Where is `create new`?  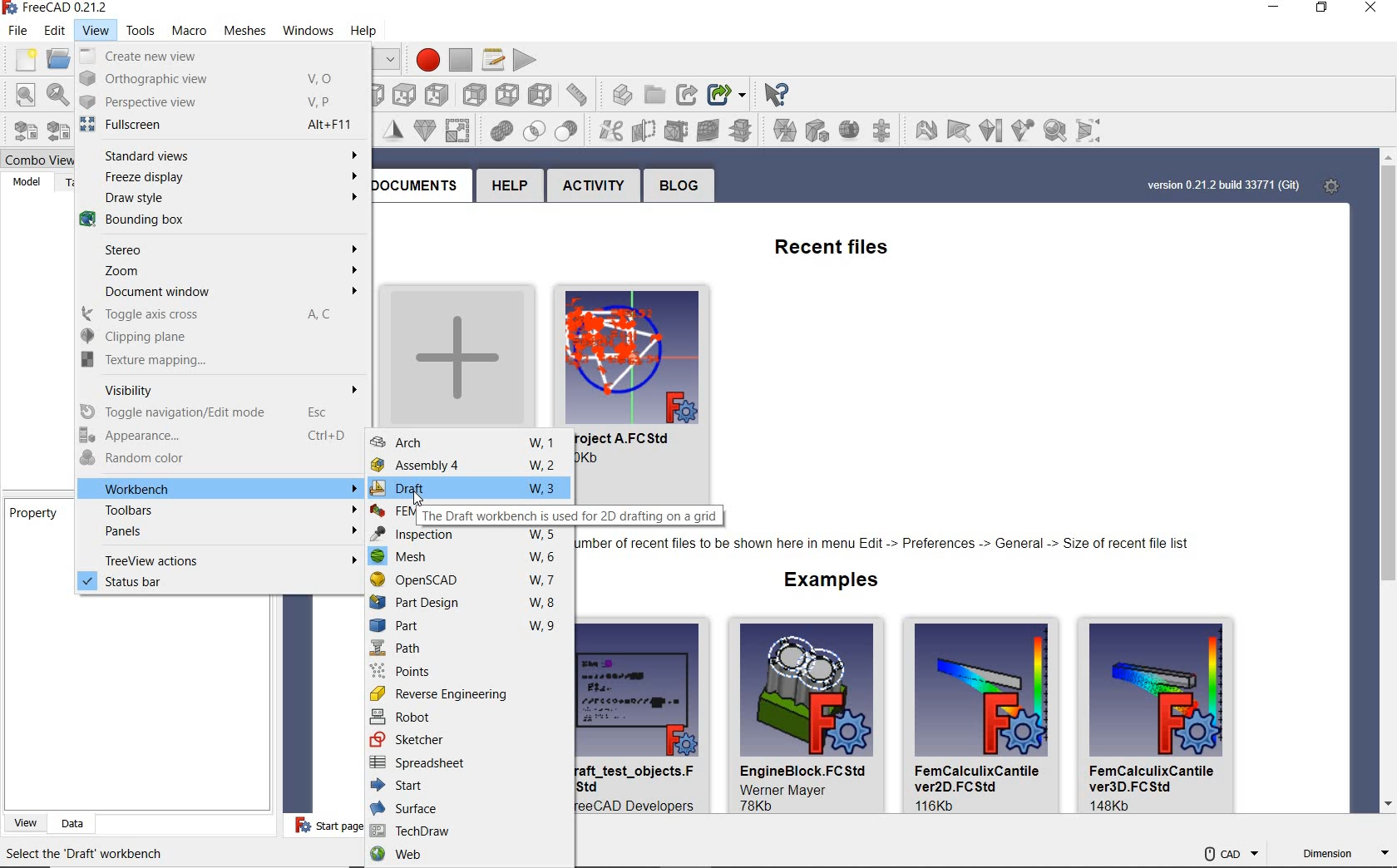
create new is located at coordinates (453, 352).